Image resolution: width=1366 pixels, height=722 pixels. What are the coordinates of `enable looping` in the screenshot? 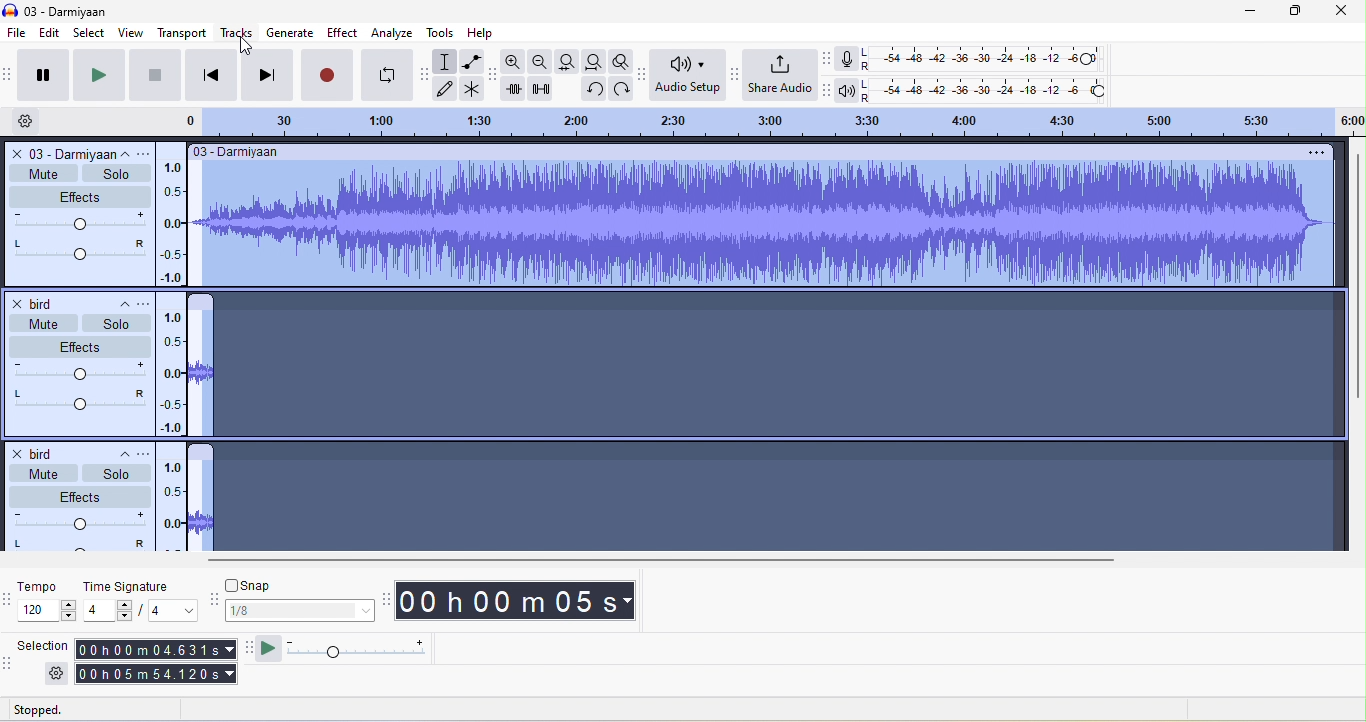 It's located at (386, 74).